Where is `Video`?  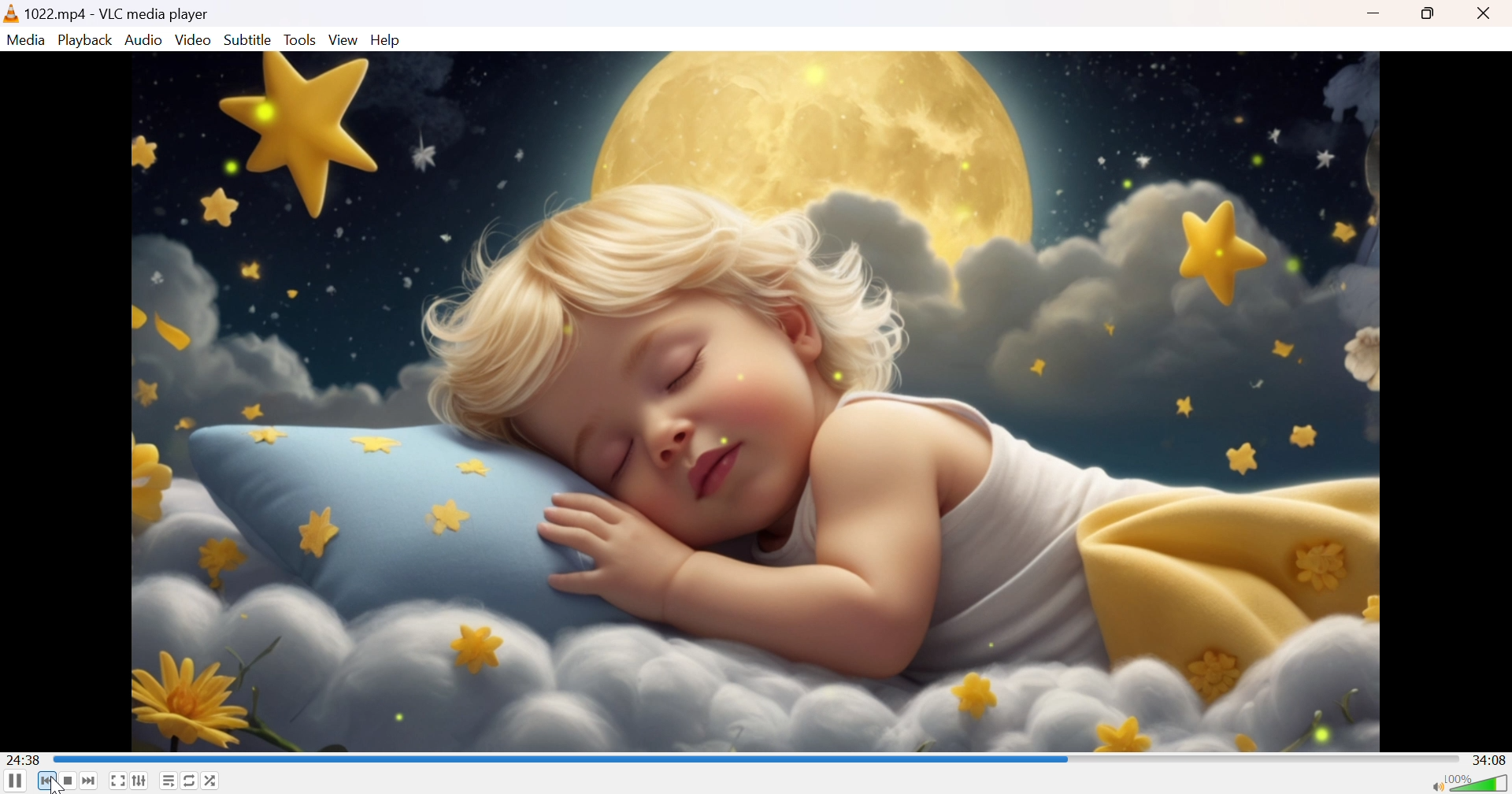 Video is located at coordinates (193, 40).